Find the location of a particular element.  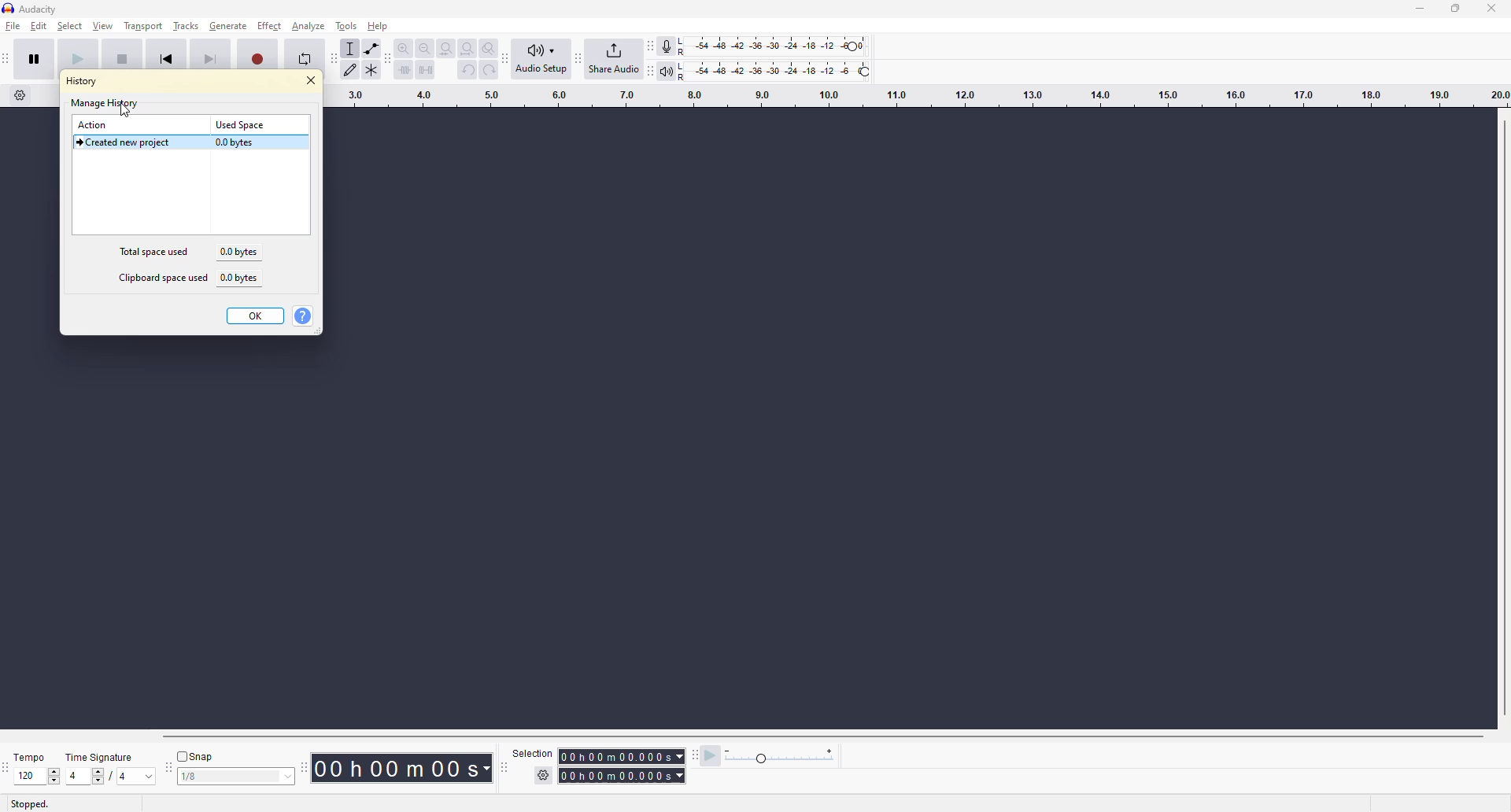

Used Space is located at coordinates (242, 124).